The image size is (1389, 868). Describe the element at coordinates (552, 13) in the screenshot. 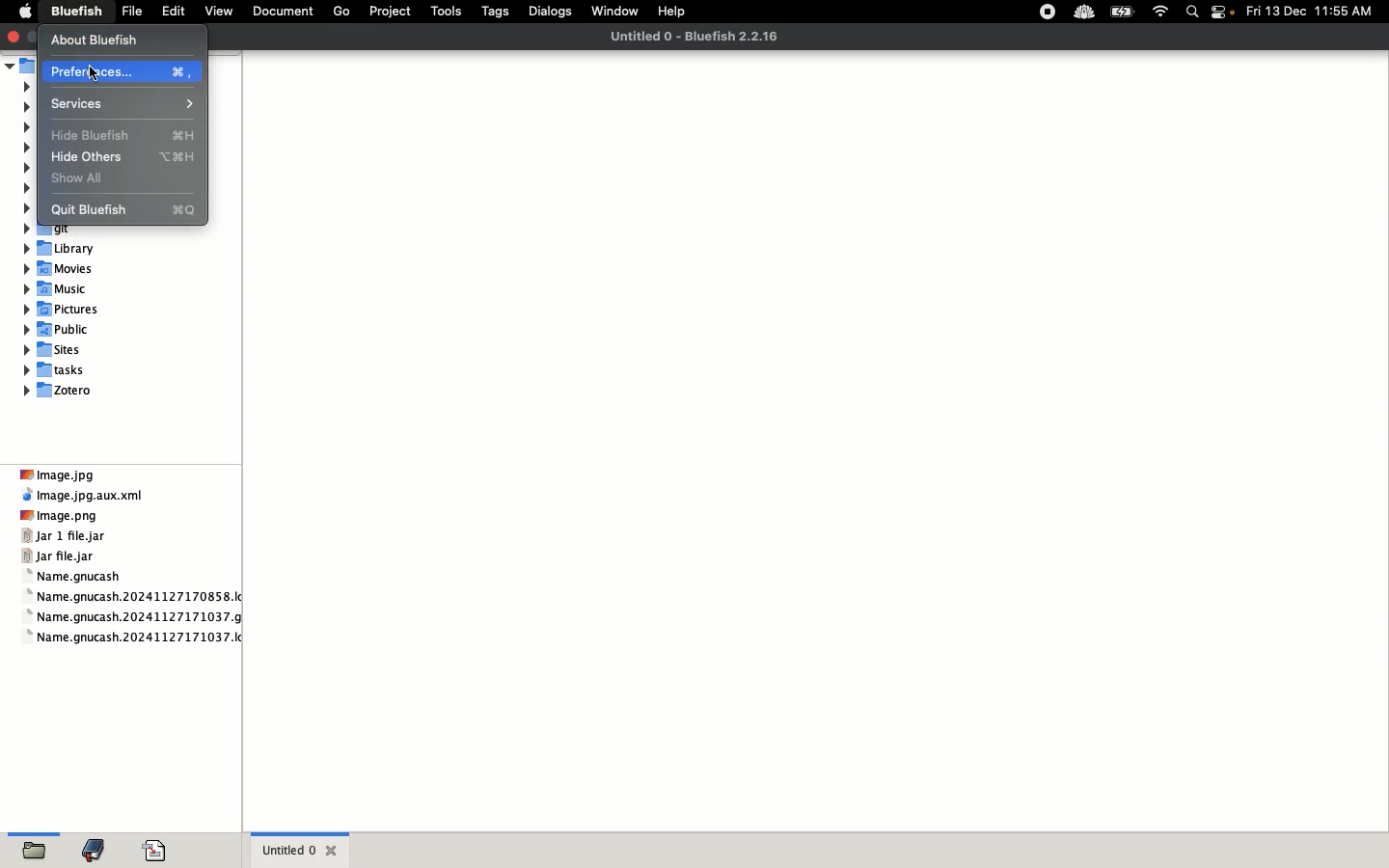

I see `dialogs` at that location.